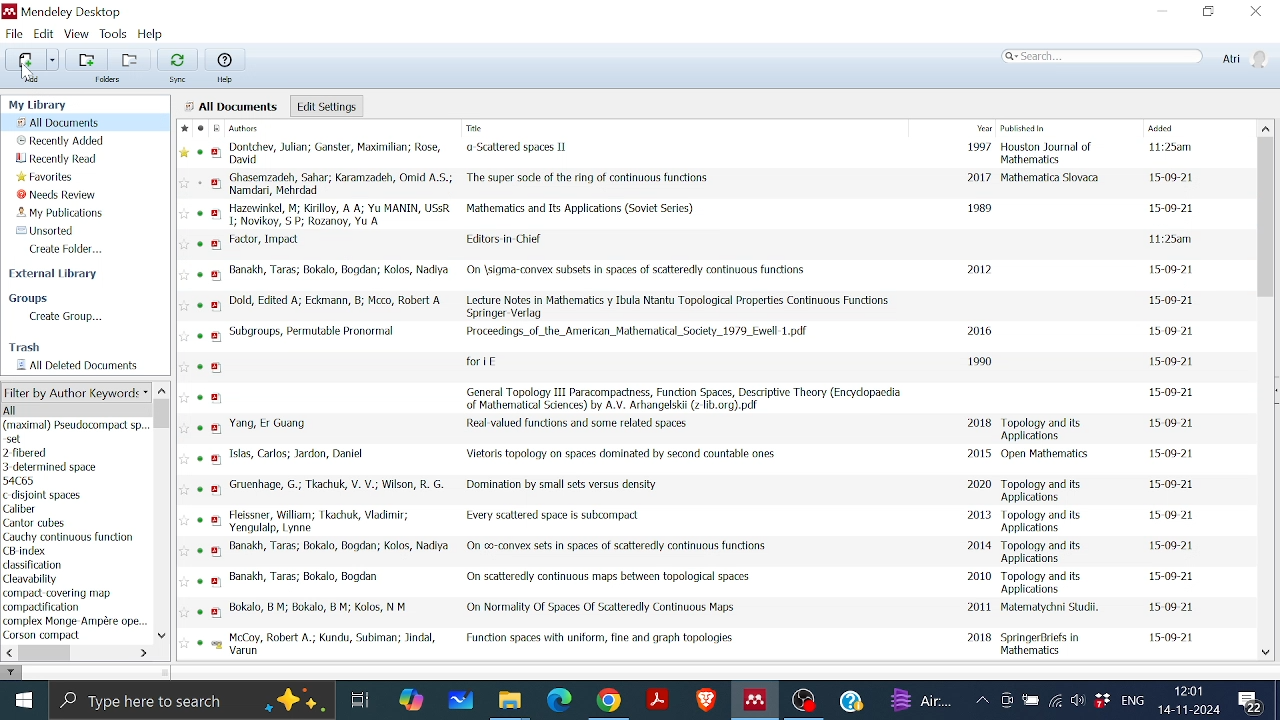 This screenshot has height=720, width=1280. I want to click on read status, so click(200, 183).